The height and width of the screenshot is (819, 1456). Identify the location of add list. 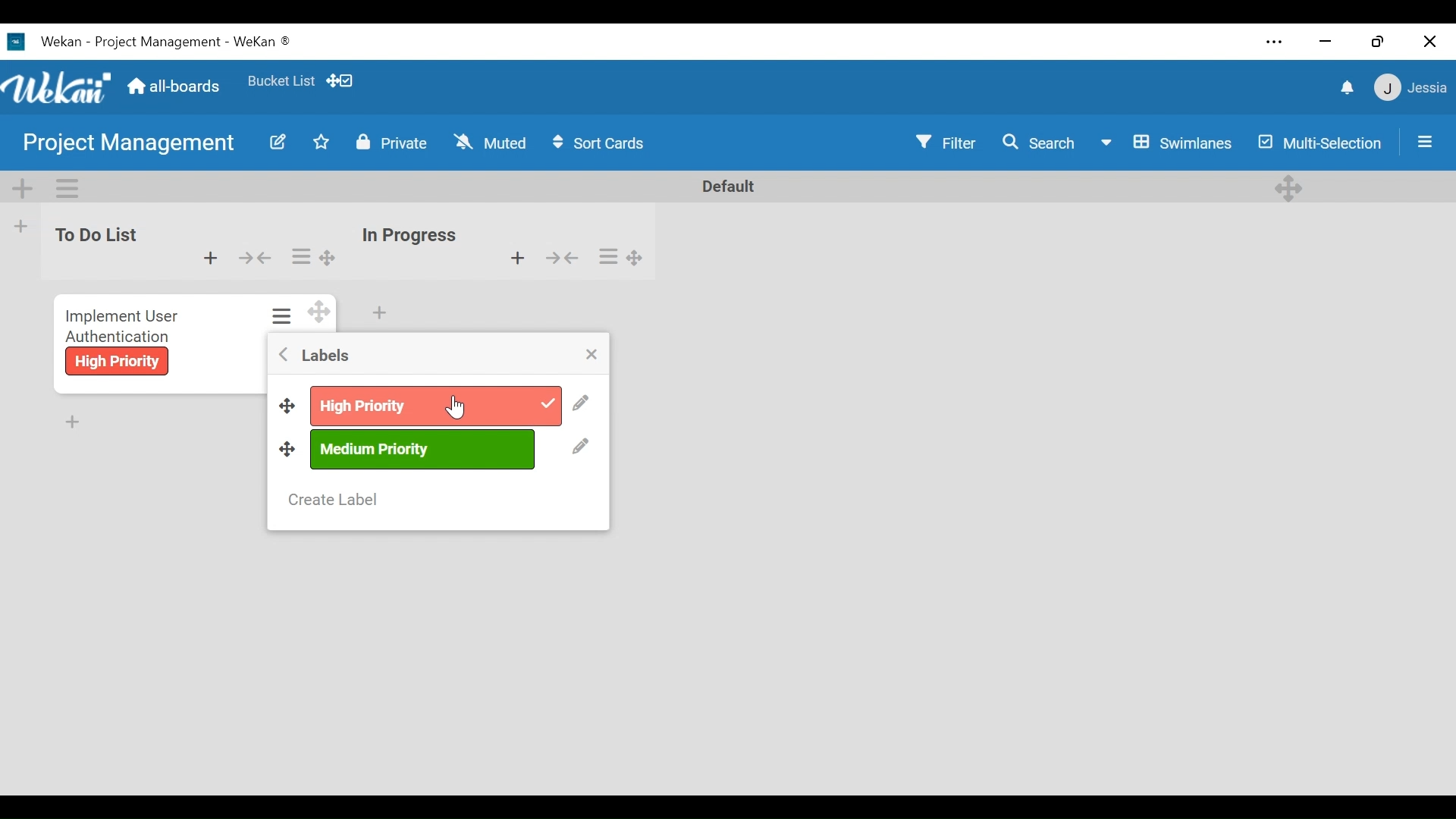
(21, 229).